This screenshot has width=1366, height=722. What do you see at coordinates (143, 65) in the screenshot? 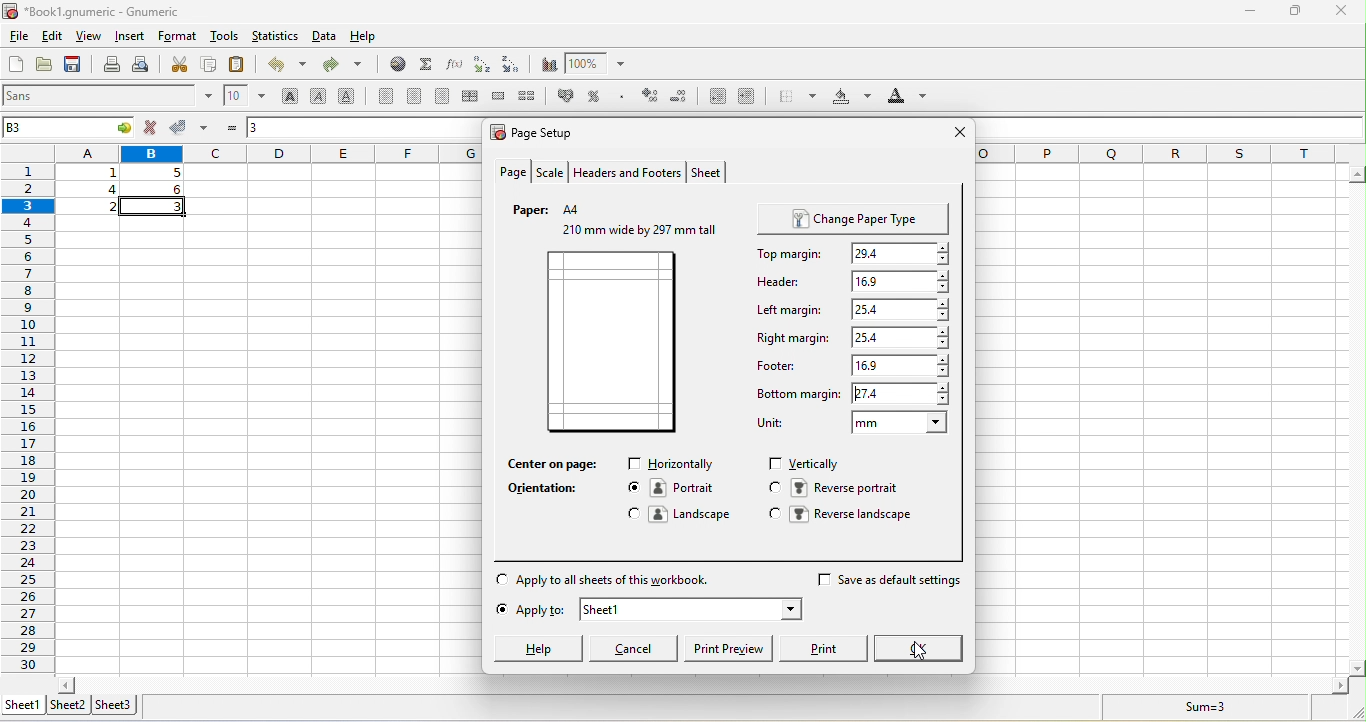
I see `print preview` at bounding box center [143, 65].